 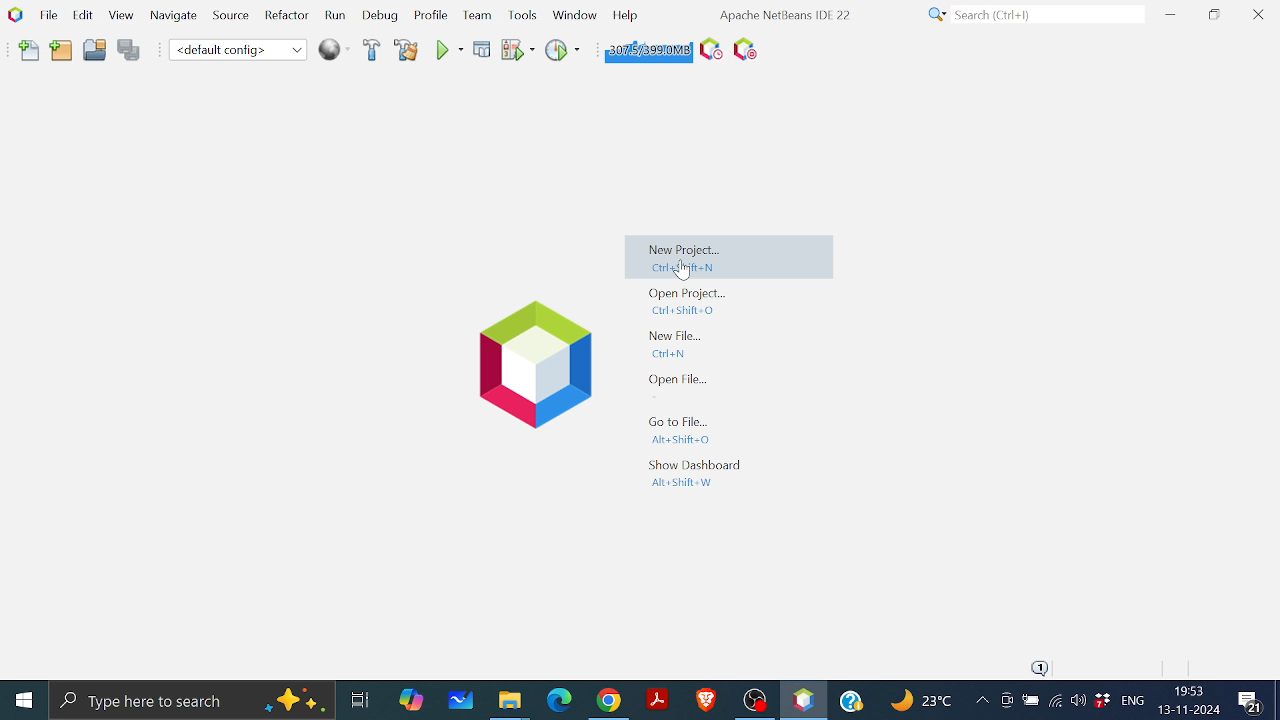 What do you see at coordinates (1253, 702) in the screenshot?
I see `Comments` at bounding box center [1253, 702].